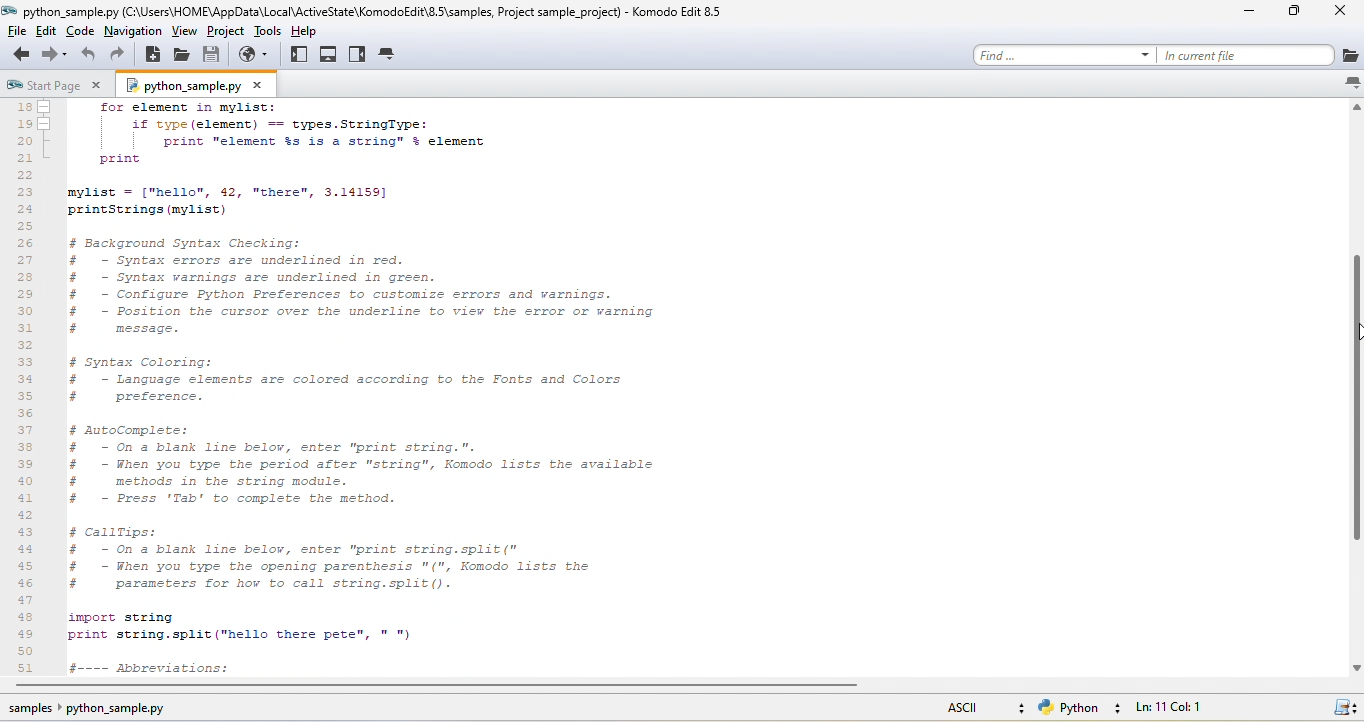 The width and height of the screenshot is (1364, 722). I want to click on ln 11, col 1, so click(1179, 707).